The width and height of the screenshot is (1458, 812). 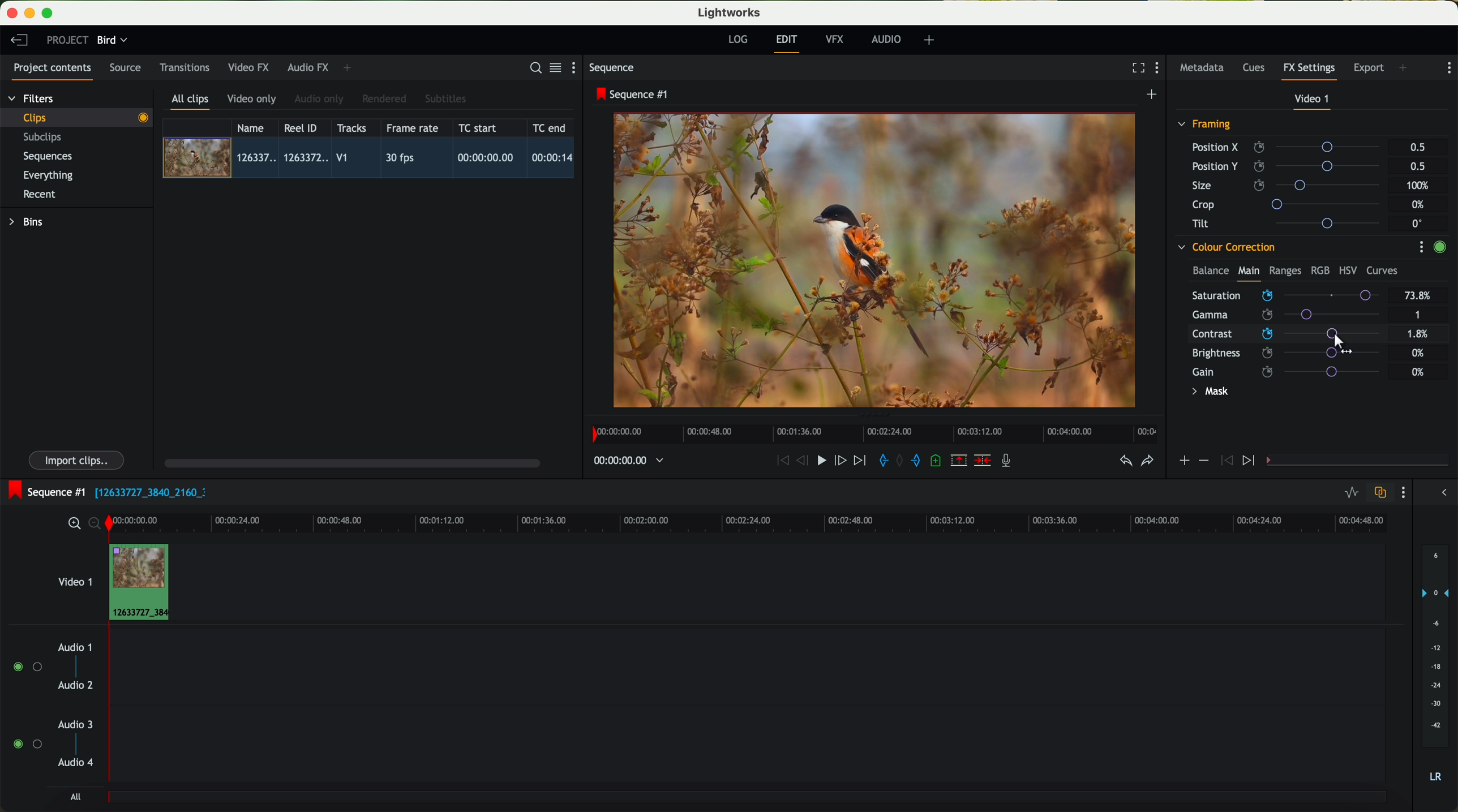 I want to click on 1, so click(x=1418, y=316).